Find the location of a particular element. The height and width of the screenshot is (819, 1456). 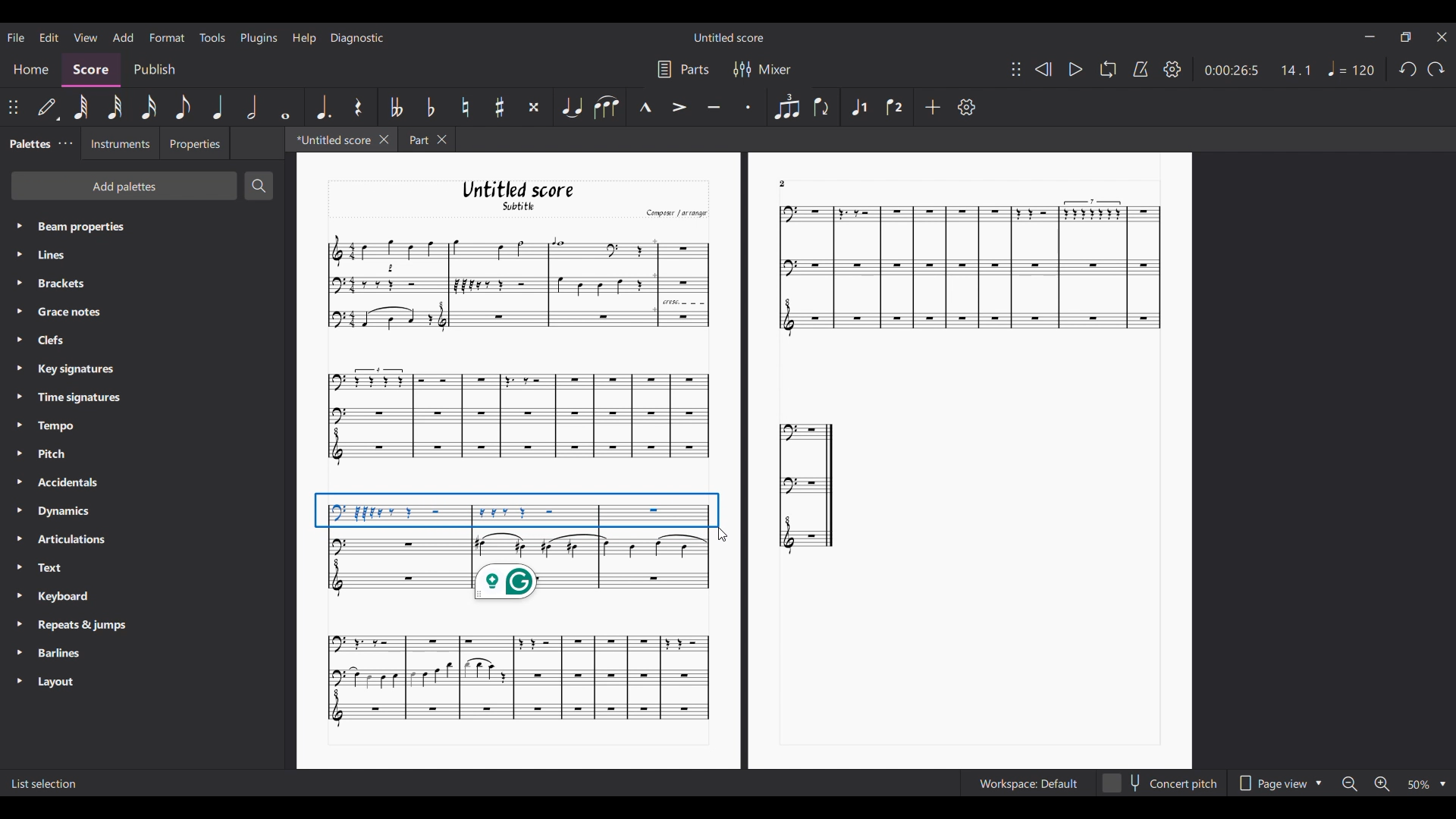

Voice 2 is located at coordinates (895, 107).